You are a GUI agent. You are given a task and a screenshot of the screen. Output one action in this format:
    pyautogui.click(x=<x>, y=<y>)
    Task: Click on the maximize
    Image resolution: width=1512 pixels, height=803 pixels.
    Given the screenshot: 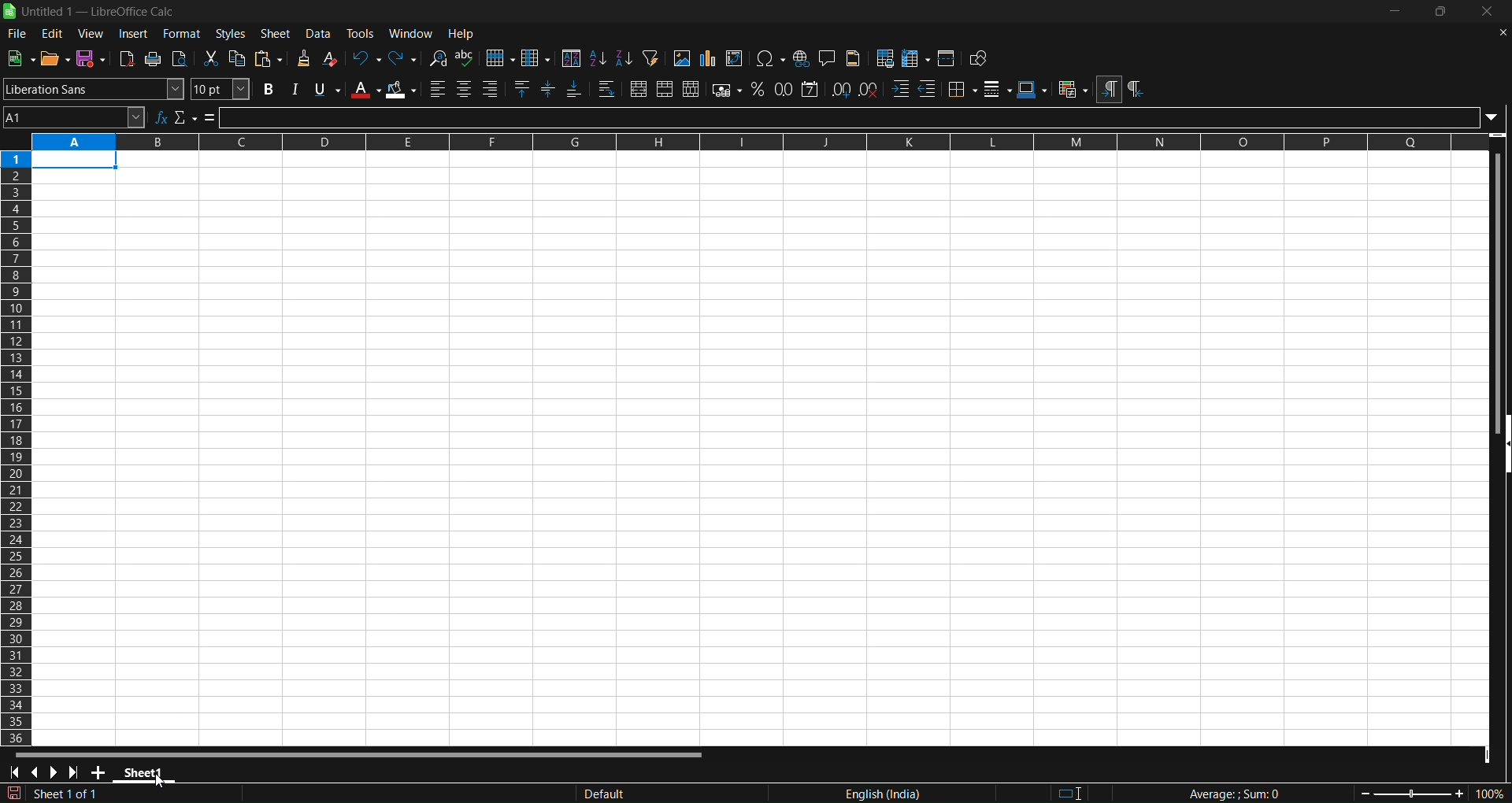 What is the action you would take?
    pyautogui.click(x=1444, y=13)
    